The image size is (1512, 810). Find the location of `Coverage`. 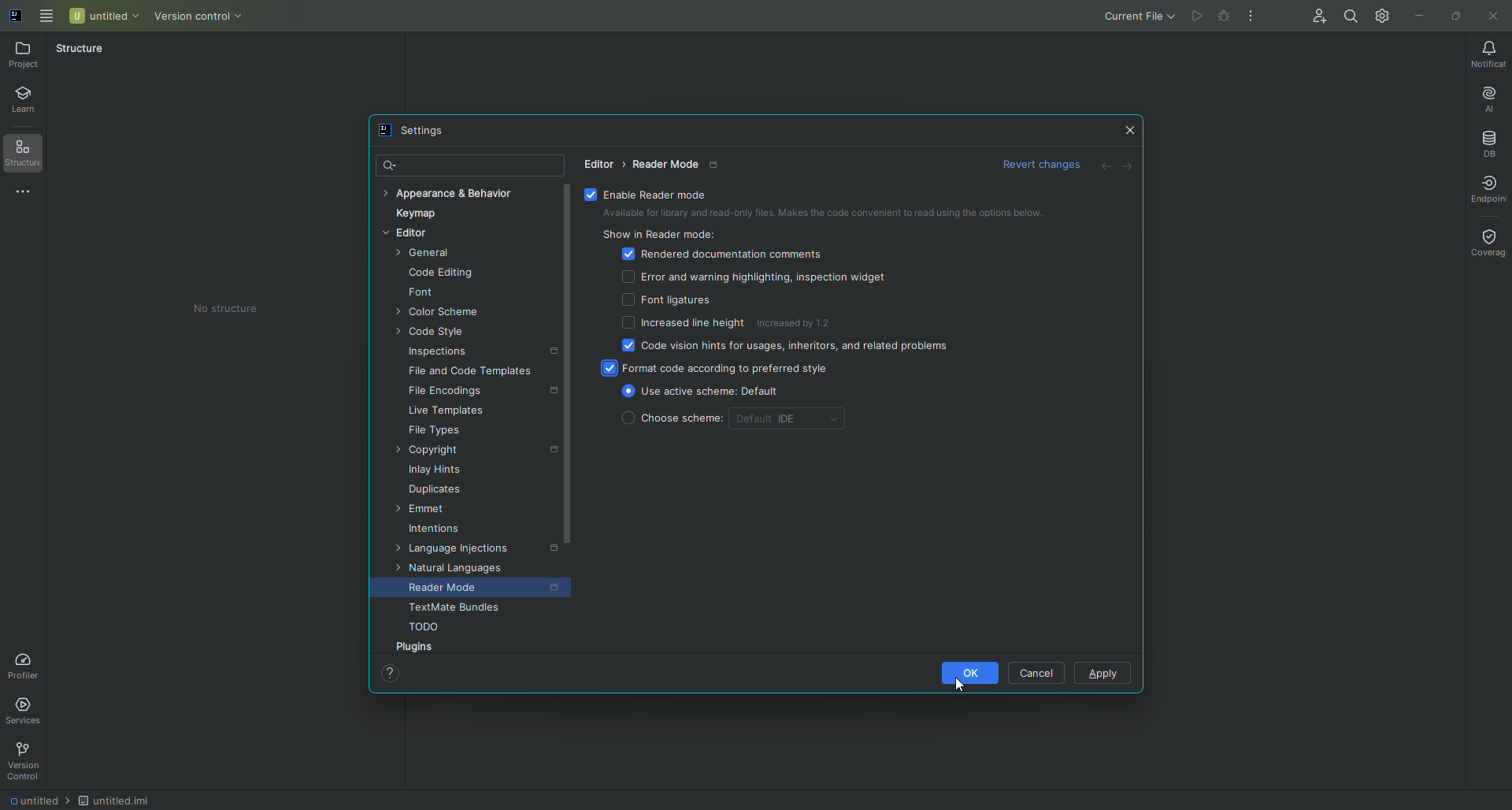

Coverage is located at coordinates (1486, 243).